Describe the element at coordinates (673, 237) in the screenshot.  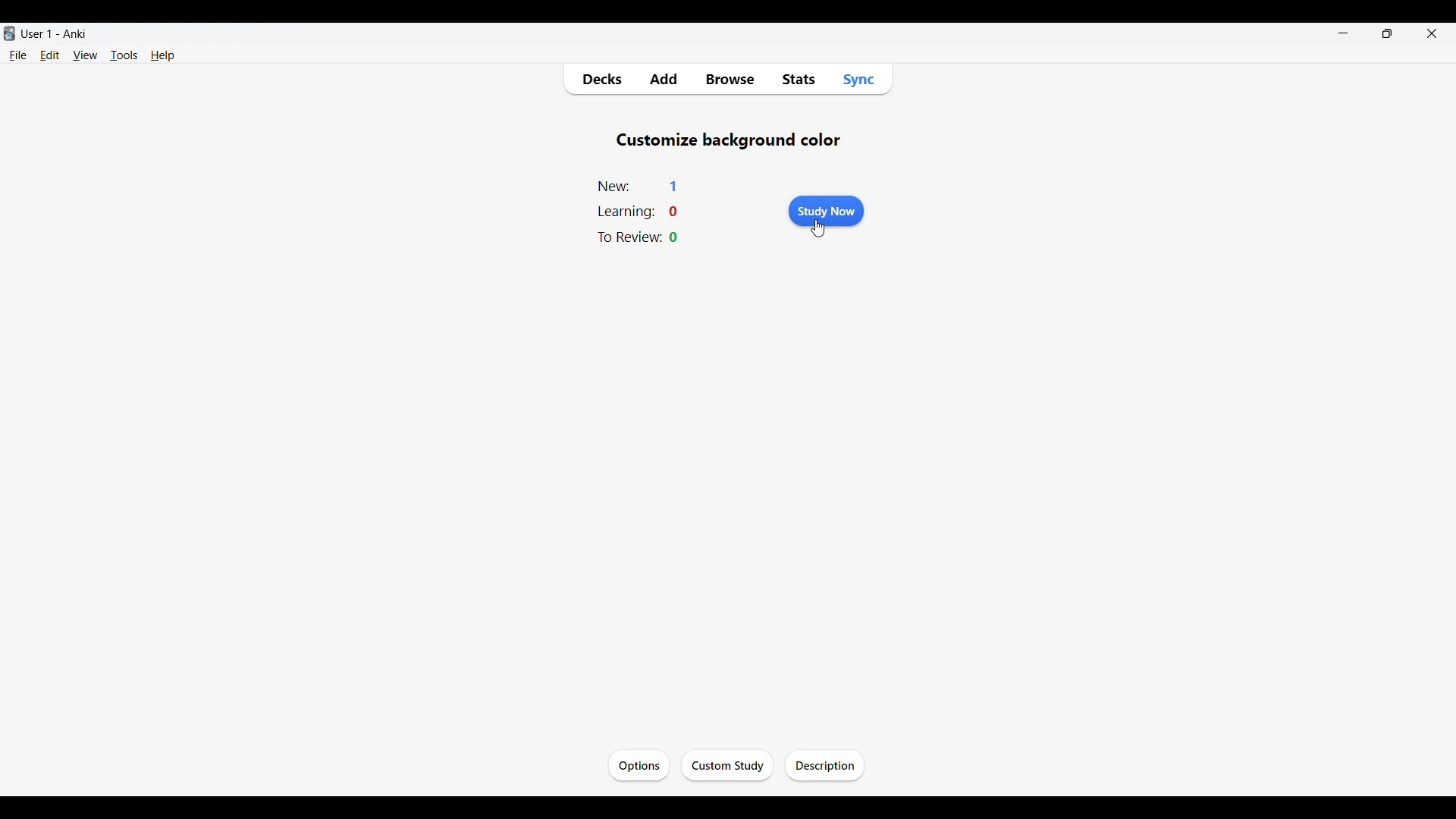
I see `Number of cards to Review` at that location.